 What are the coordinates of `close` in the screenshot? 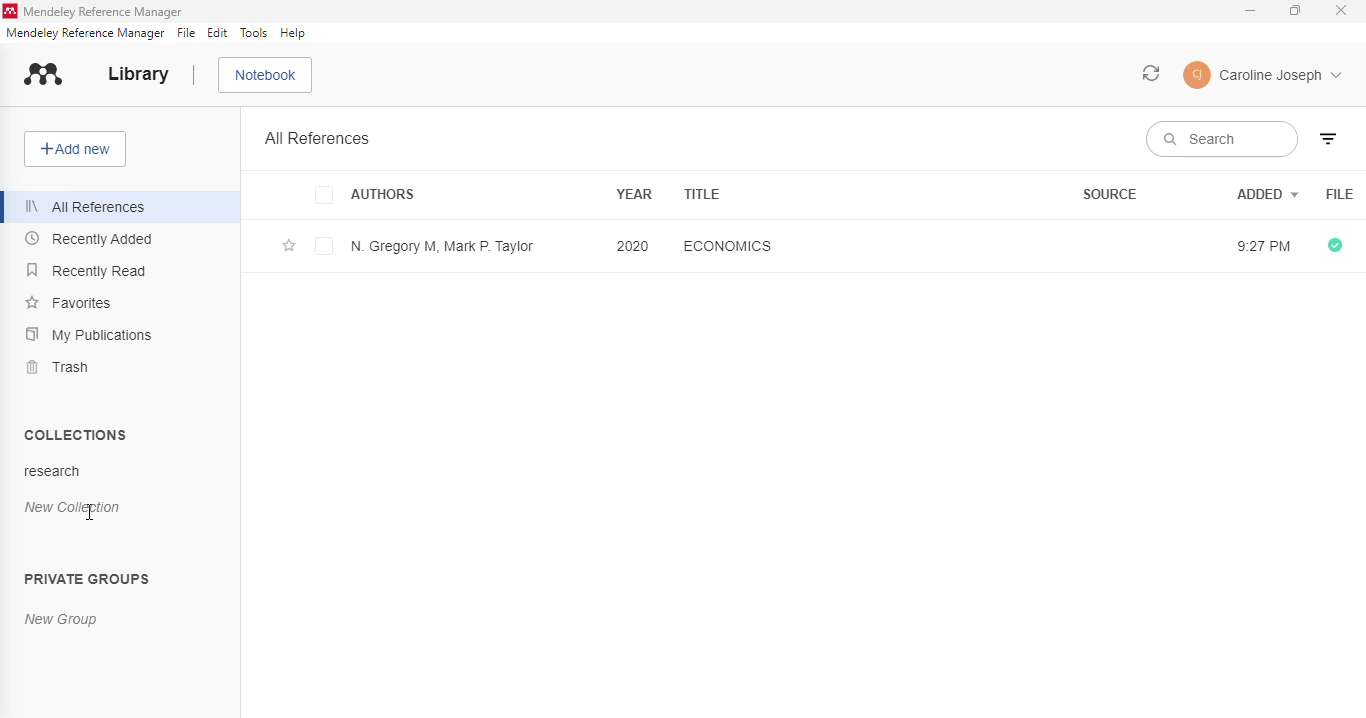 It's located at (1342, 10).